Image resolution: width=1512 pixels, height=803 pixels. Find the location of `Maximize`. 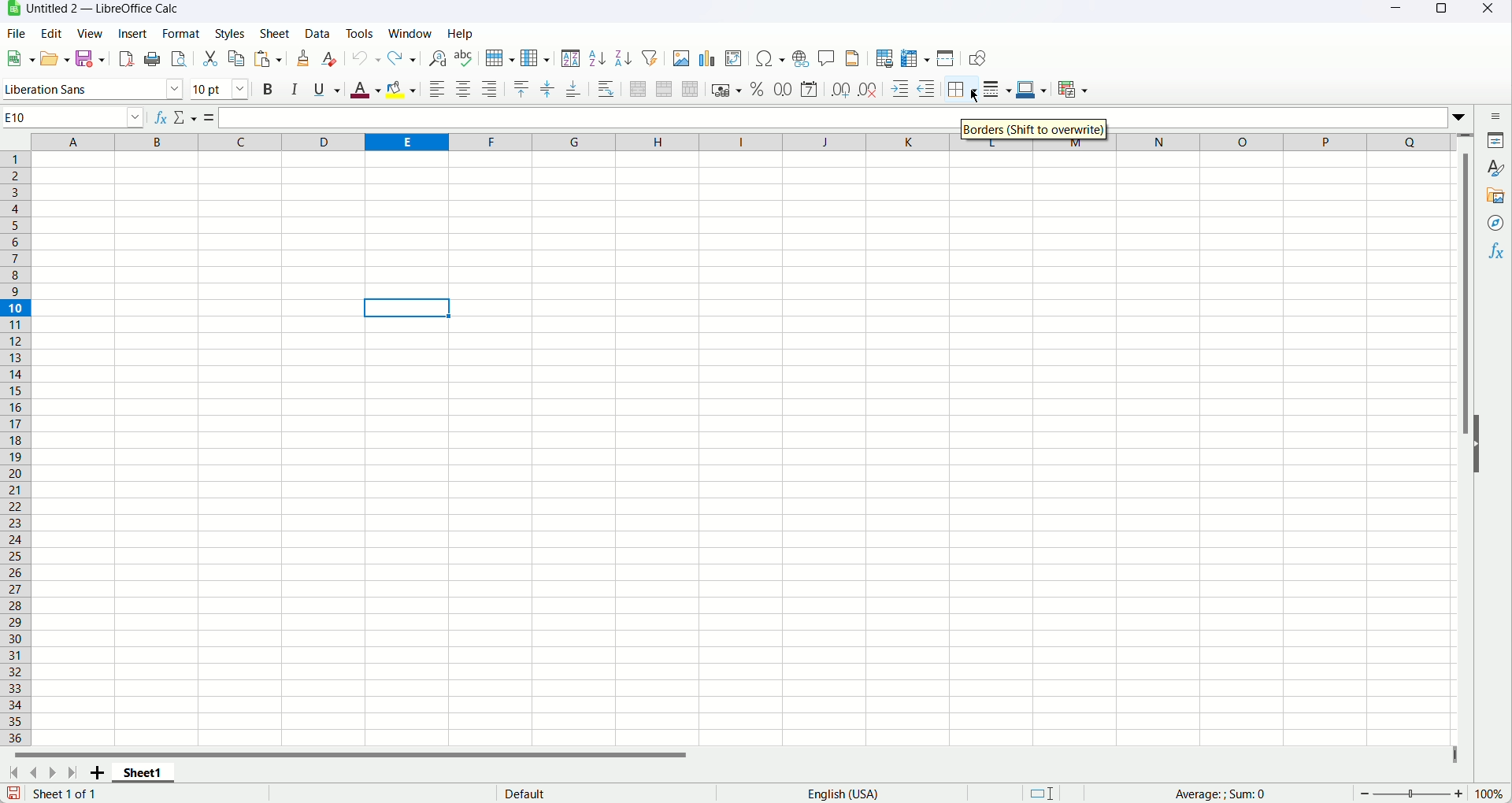

Maximize is located at coordinates (1440, 13).